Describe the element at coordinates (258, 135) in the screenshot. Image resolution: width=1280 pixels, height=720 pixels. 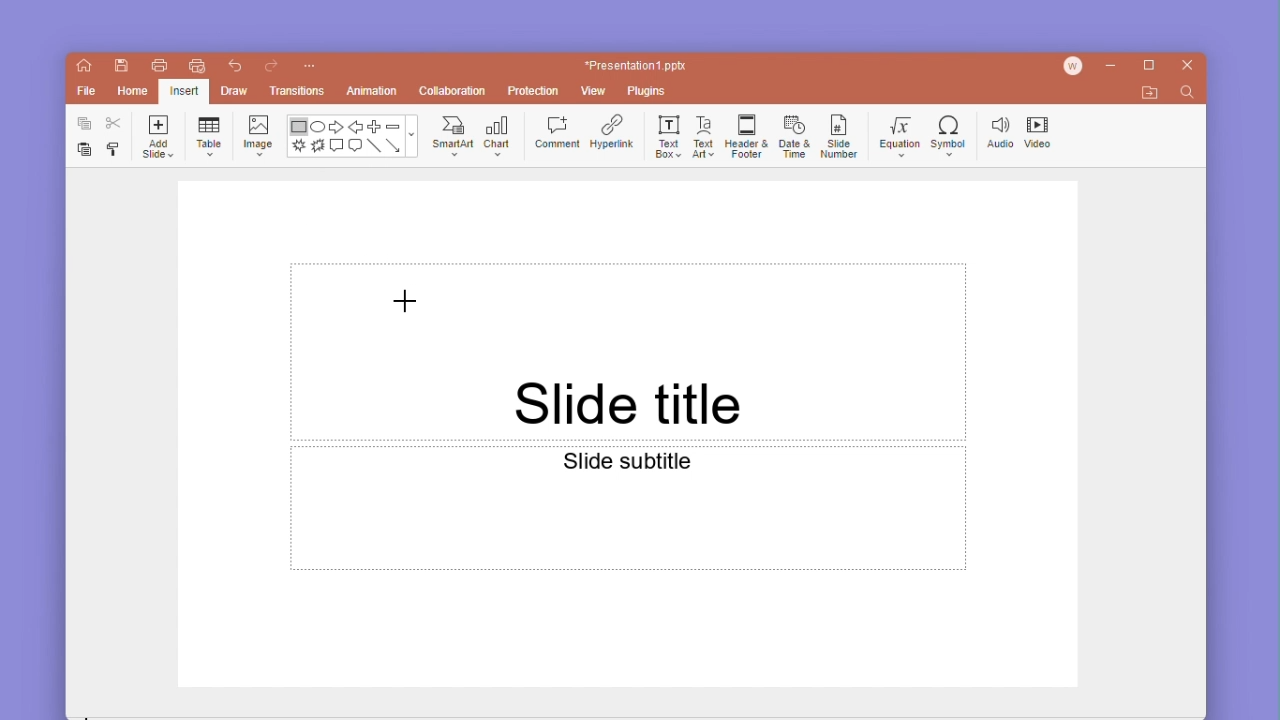
I see `image` at that location.